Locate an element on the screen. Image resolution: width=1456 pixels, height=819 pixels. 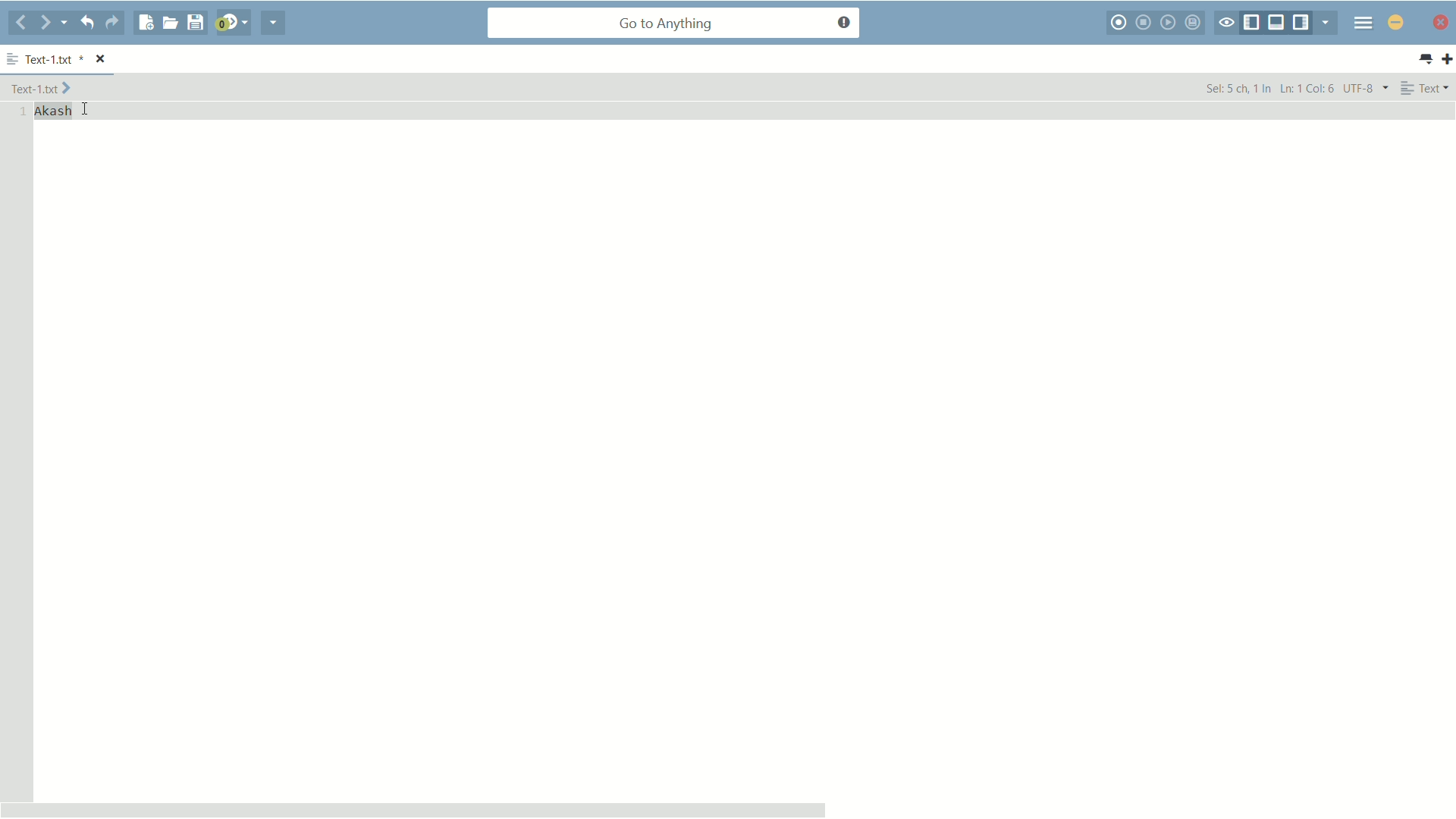
record macro is located at coordinates (1120, 23).